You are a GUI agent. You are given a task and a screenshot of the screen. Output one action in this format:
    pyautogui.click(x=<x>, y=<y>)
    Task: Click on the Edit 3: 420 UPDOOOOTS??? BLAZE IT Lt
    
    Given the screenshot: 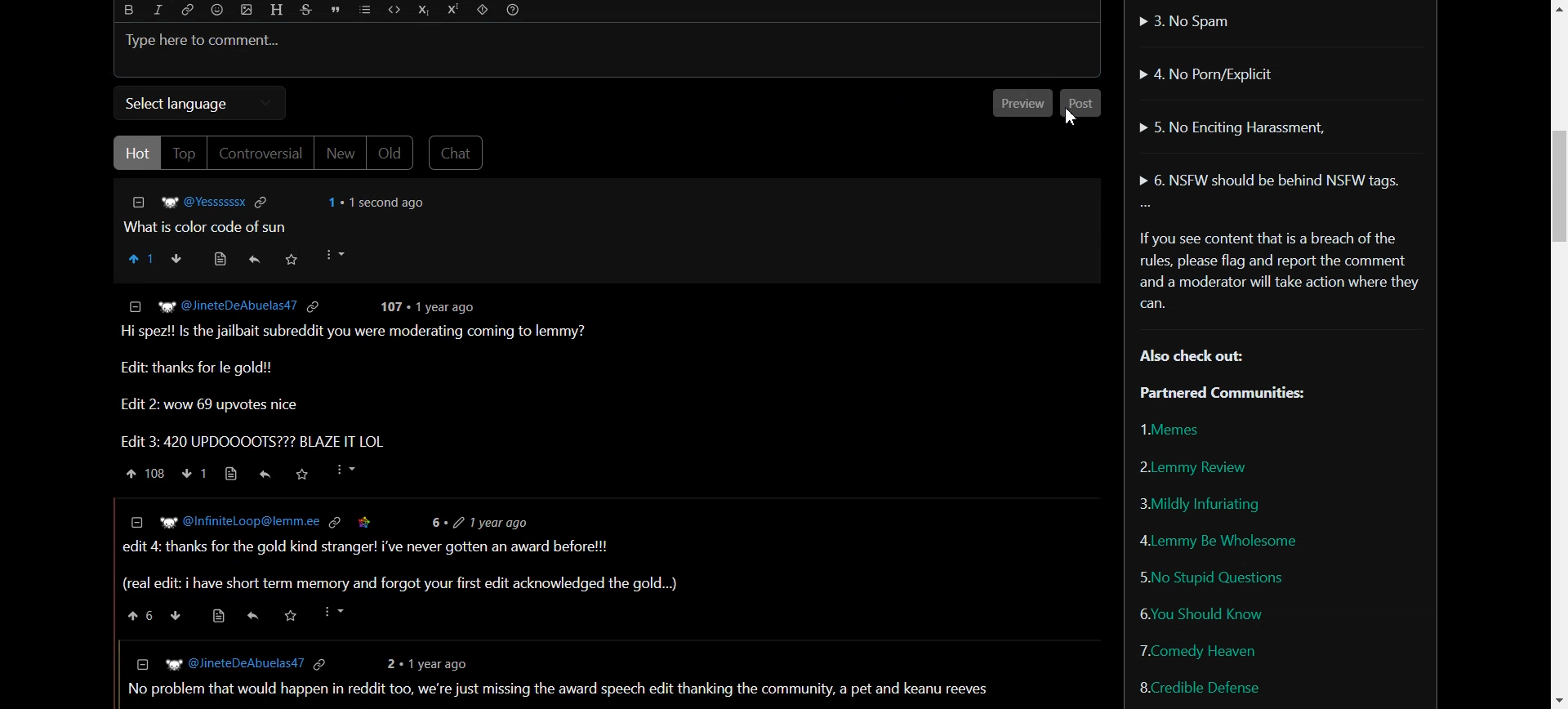 What is the action you would take?
    pyautogui.click(x=244, y=439)
    